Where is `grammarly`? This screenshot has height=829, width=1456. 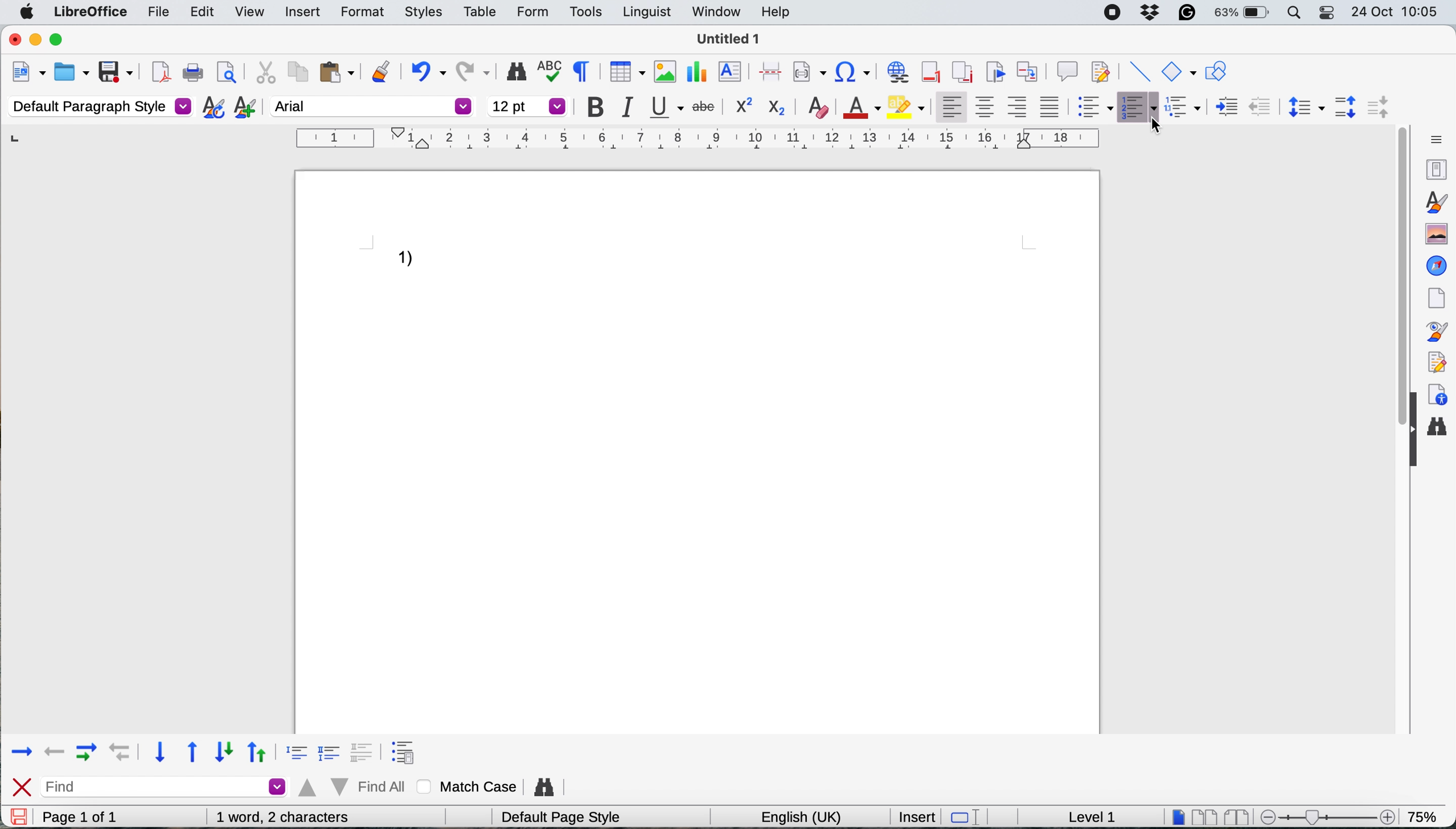 grammarly is located at coordinates (1185, 12).